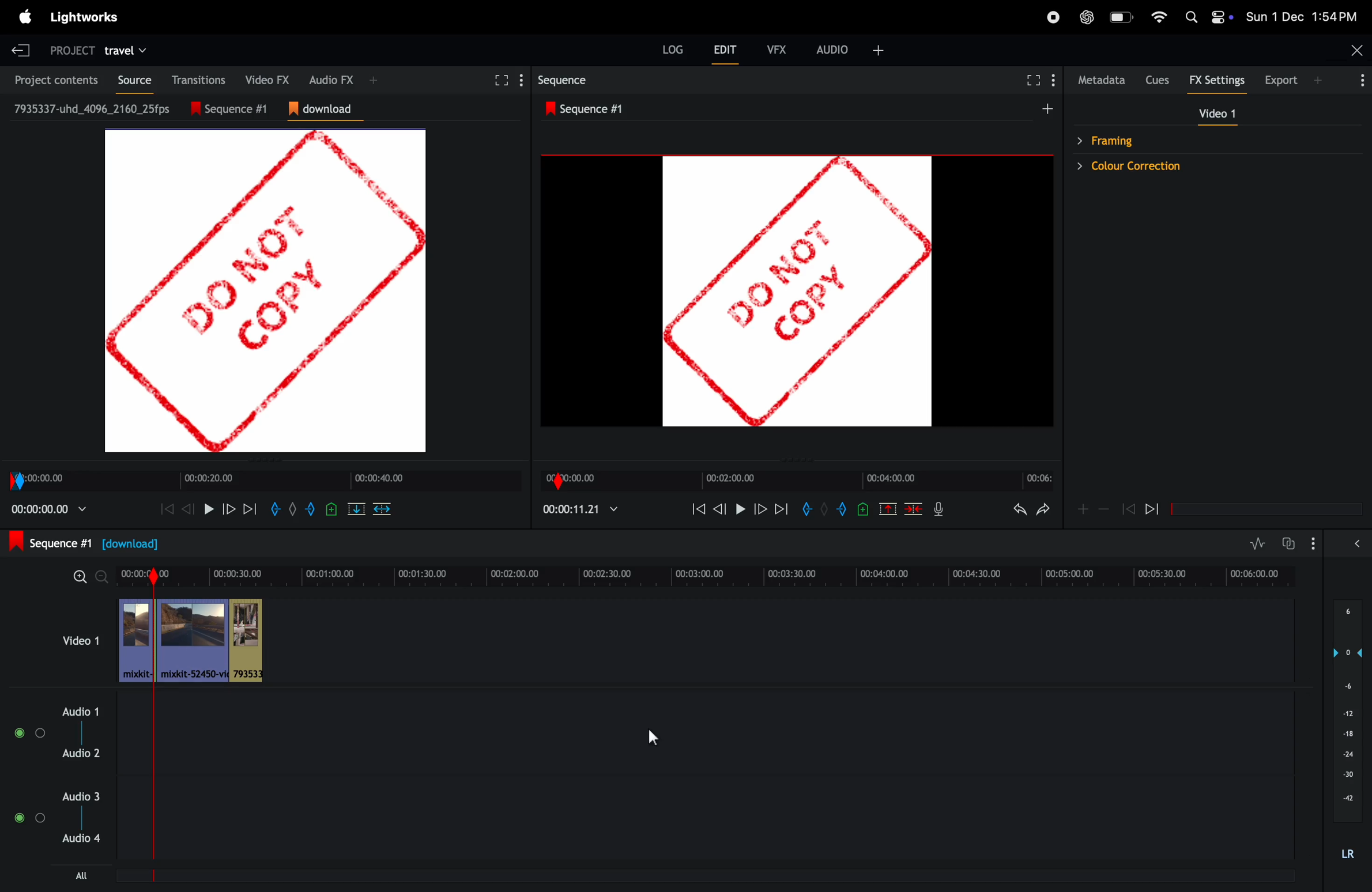 This screenshot has width=1372, height=892. What do you see at coordinates (1282, 80) in the screenshot?
I see `export` at bounding box center [1282, 80].